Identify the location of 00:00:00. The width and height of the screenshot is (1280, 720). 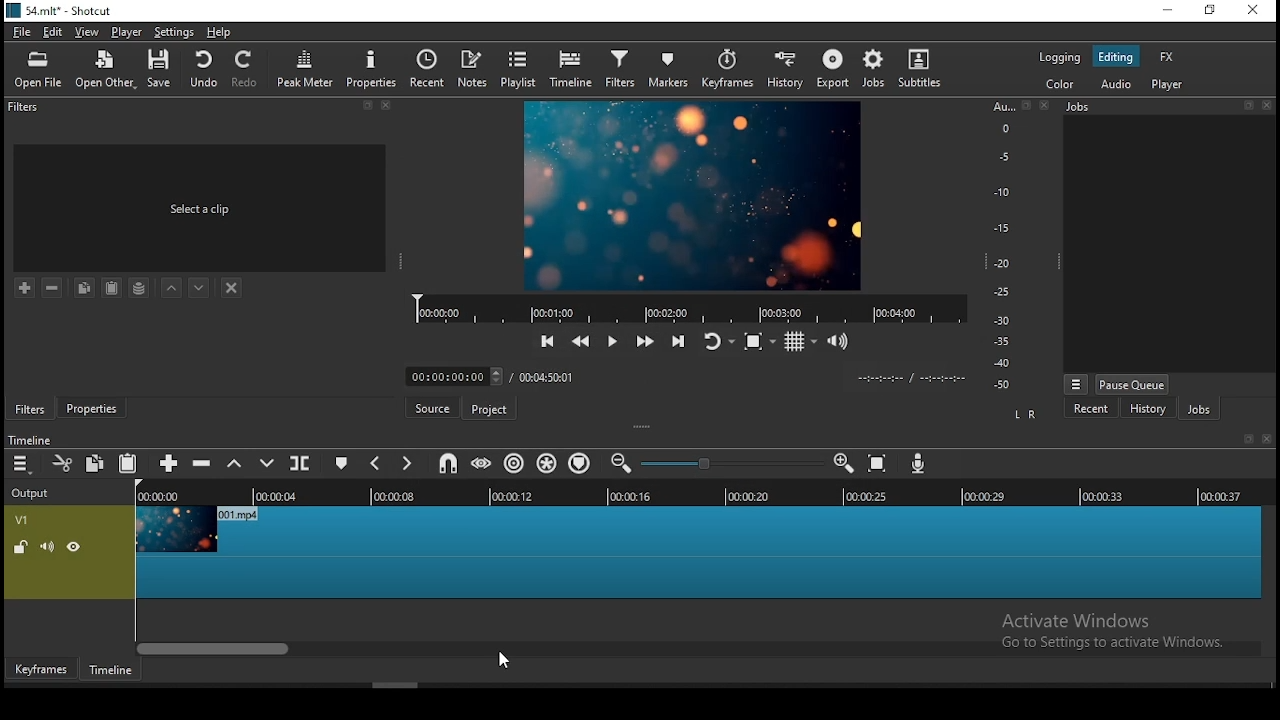
(453, 375).